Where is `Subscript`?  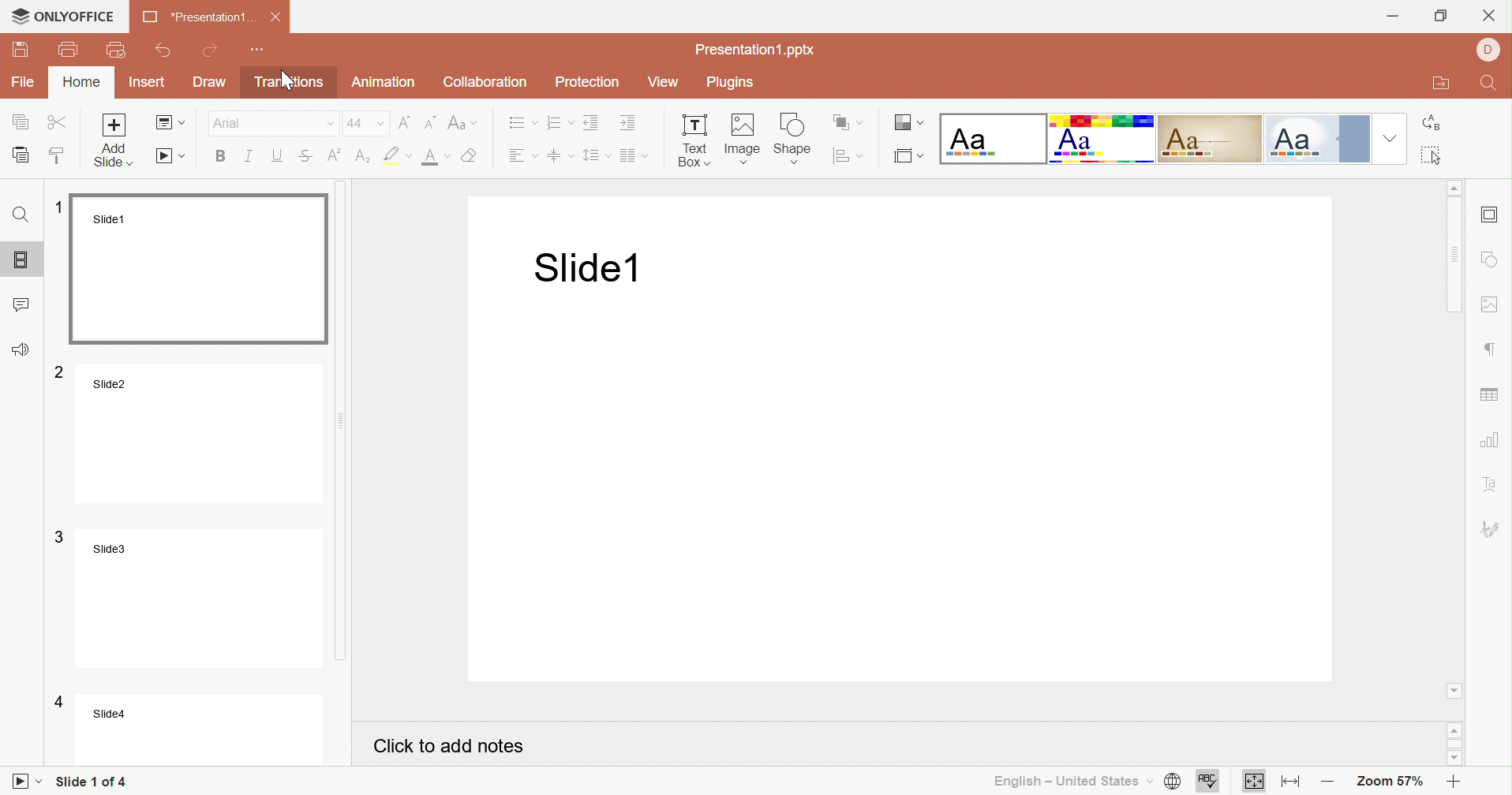 Subscript is located at coordinates (365, 158).